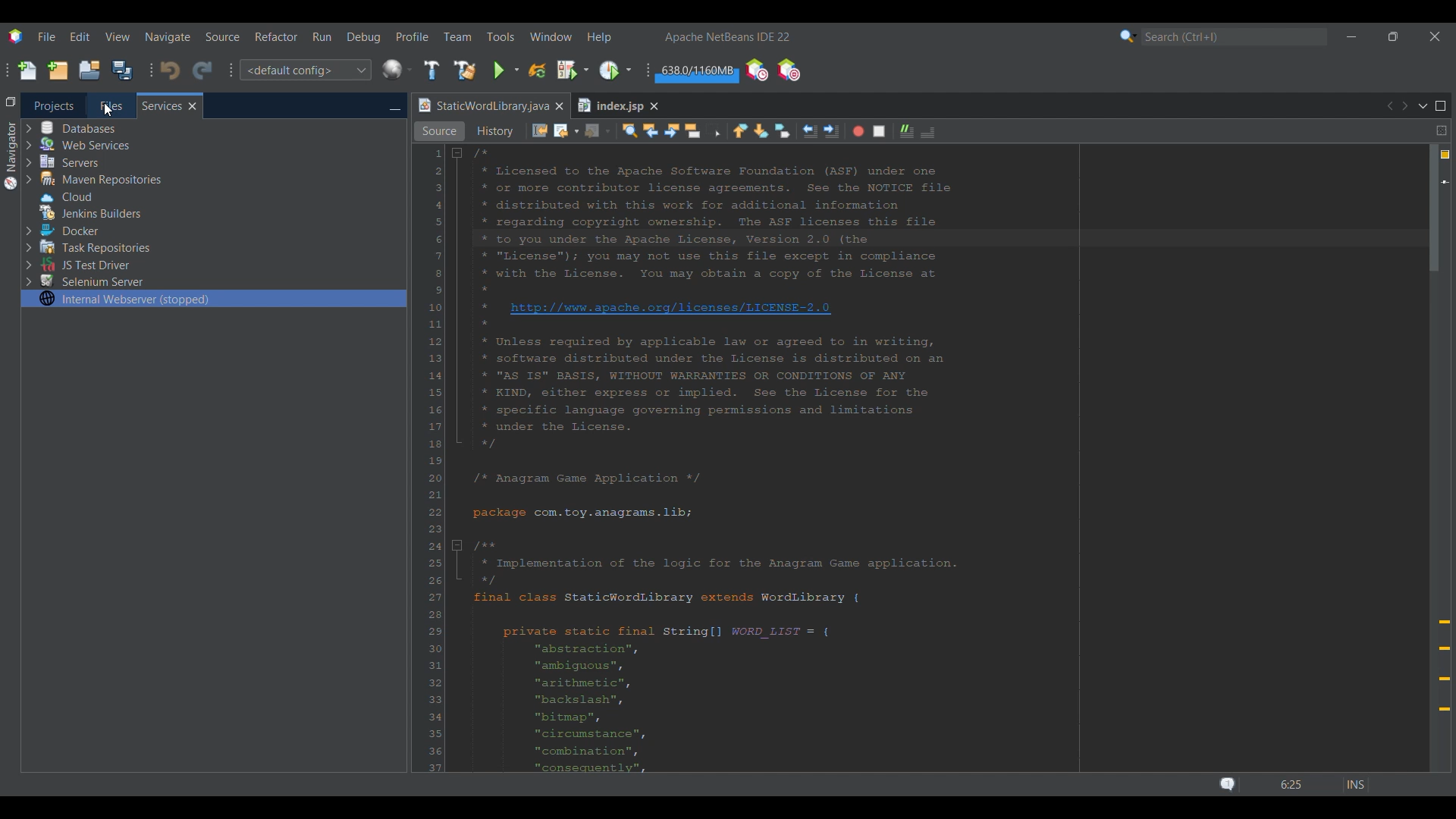 This screenshot has height=819, width=1456. Describe the element at coordinates (223, 37) in the screenshot. I see `Source menu` at that location.